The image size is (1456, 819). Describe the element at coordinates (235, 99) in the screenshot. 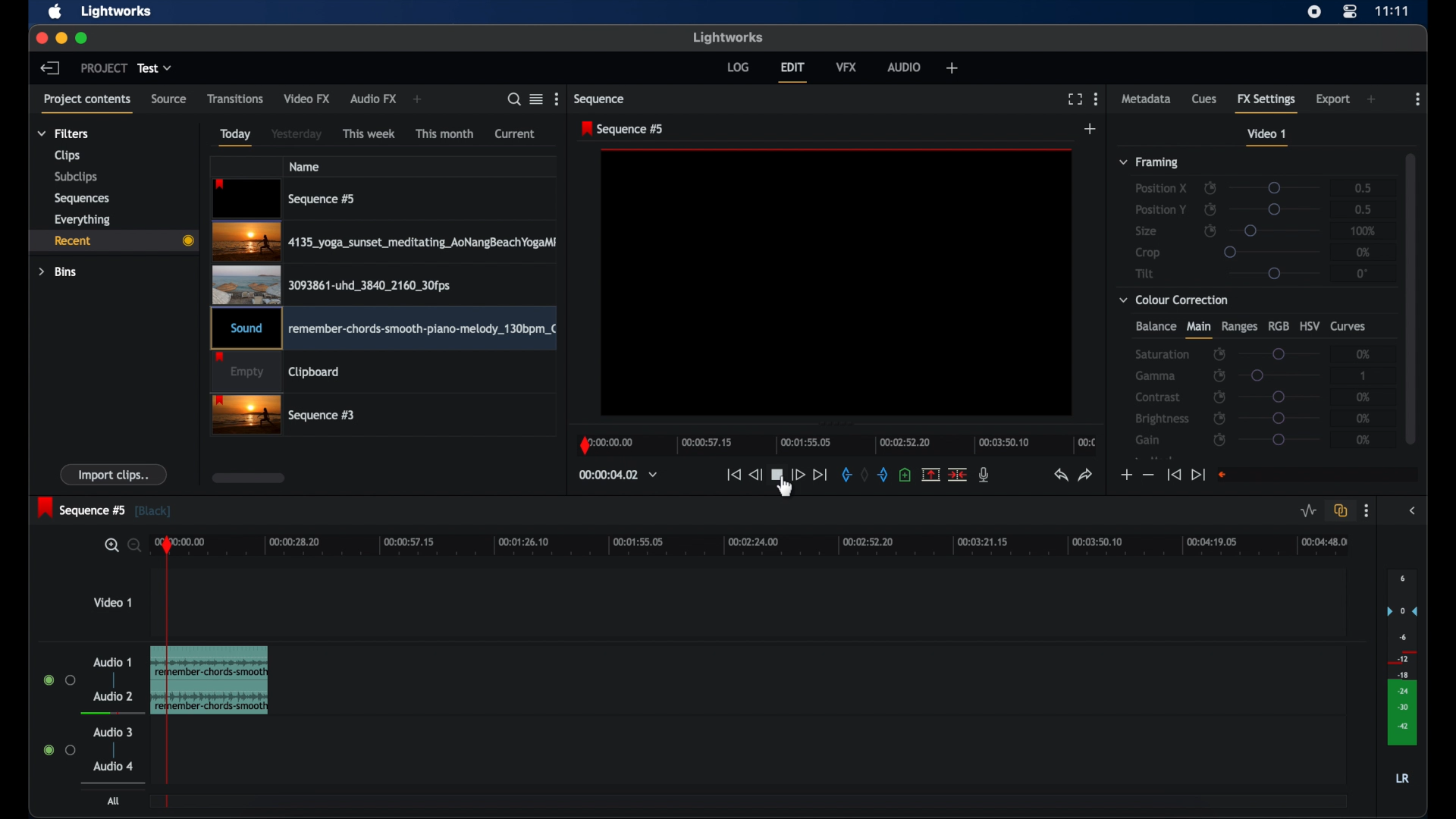

I see `transitions` at that location.